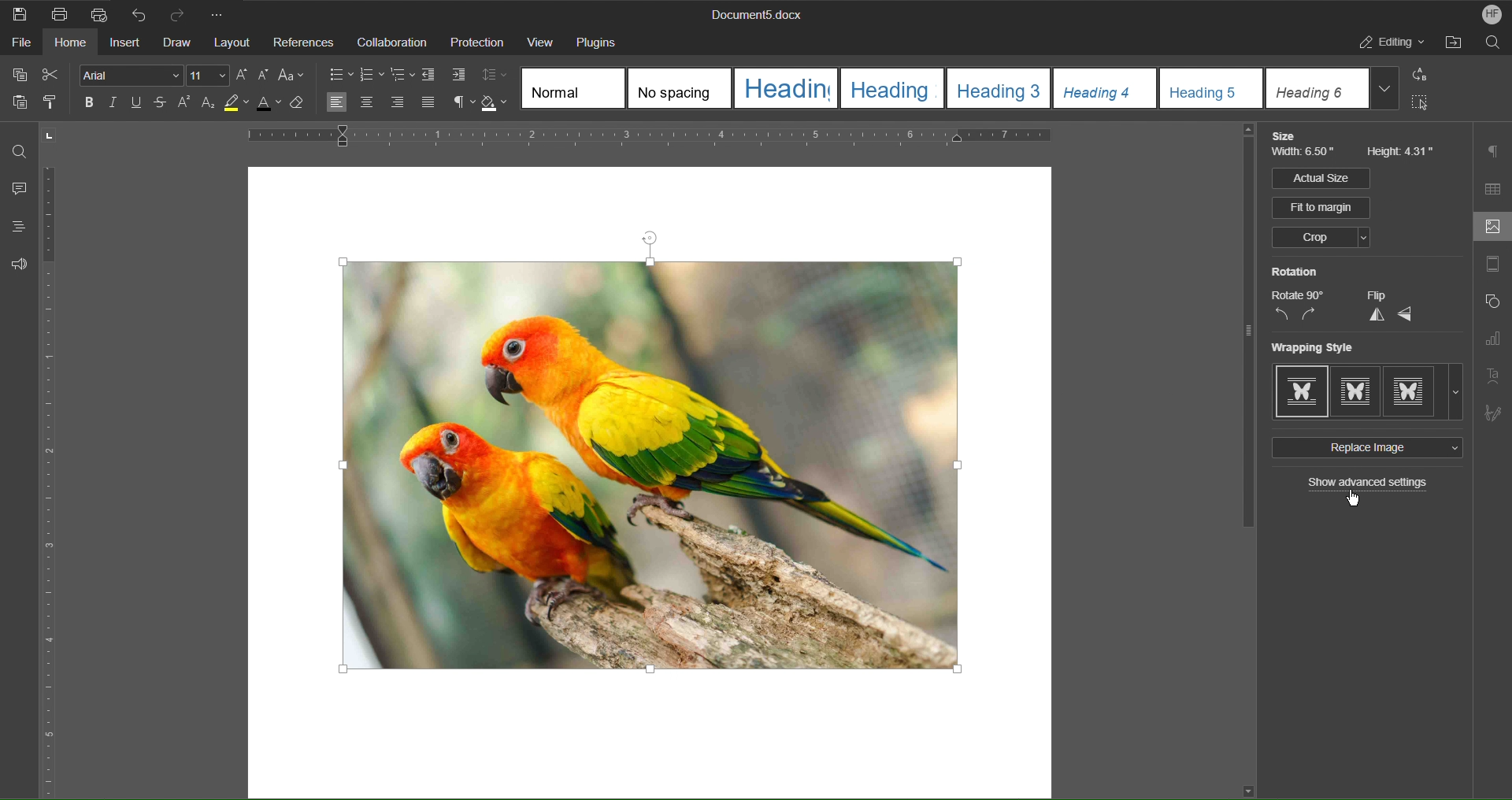  What do you see at coordinates (139, 13) in the screenshot?
I see `Undo` at bounding box center [139, 13].